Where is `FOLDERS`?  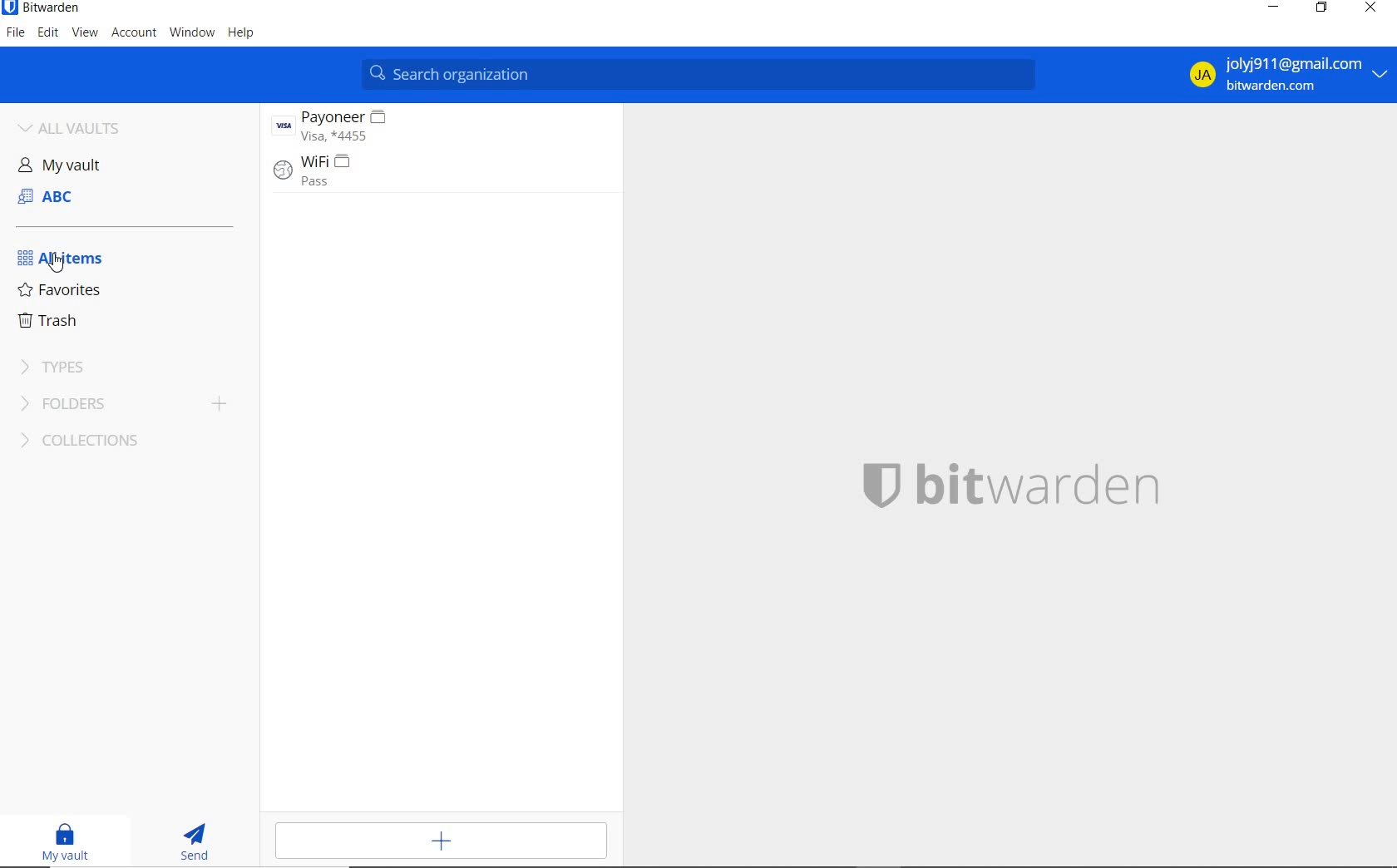
FOLDERS is located at coordinates (98, 406).